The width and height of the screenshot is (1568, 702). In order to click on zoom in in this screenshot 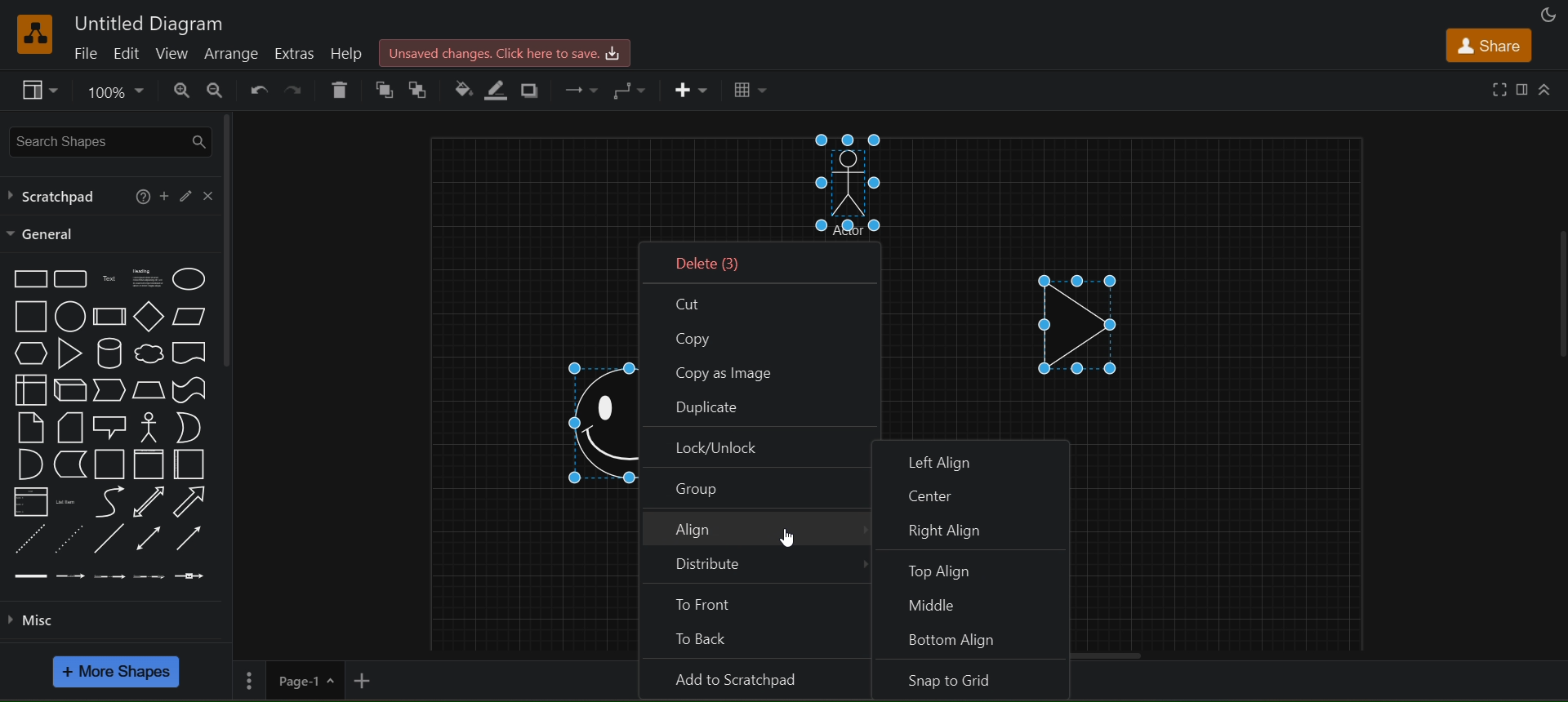, I will do `click(179, 91)`.